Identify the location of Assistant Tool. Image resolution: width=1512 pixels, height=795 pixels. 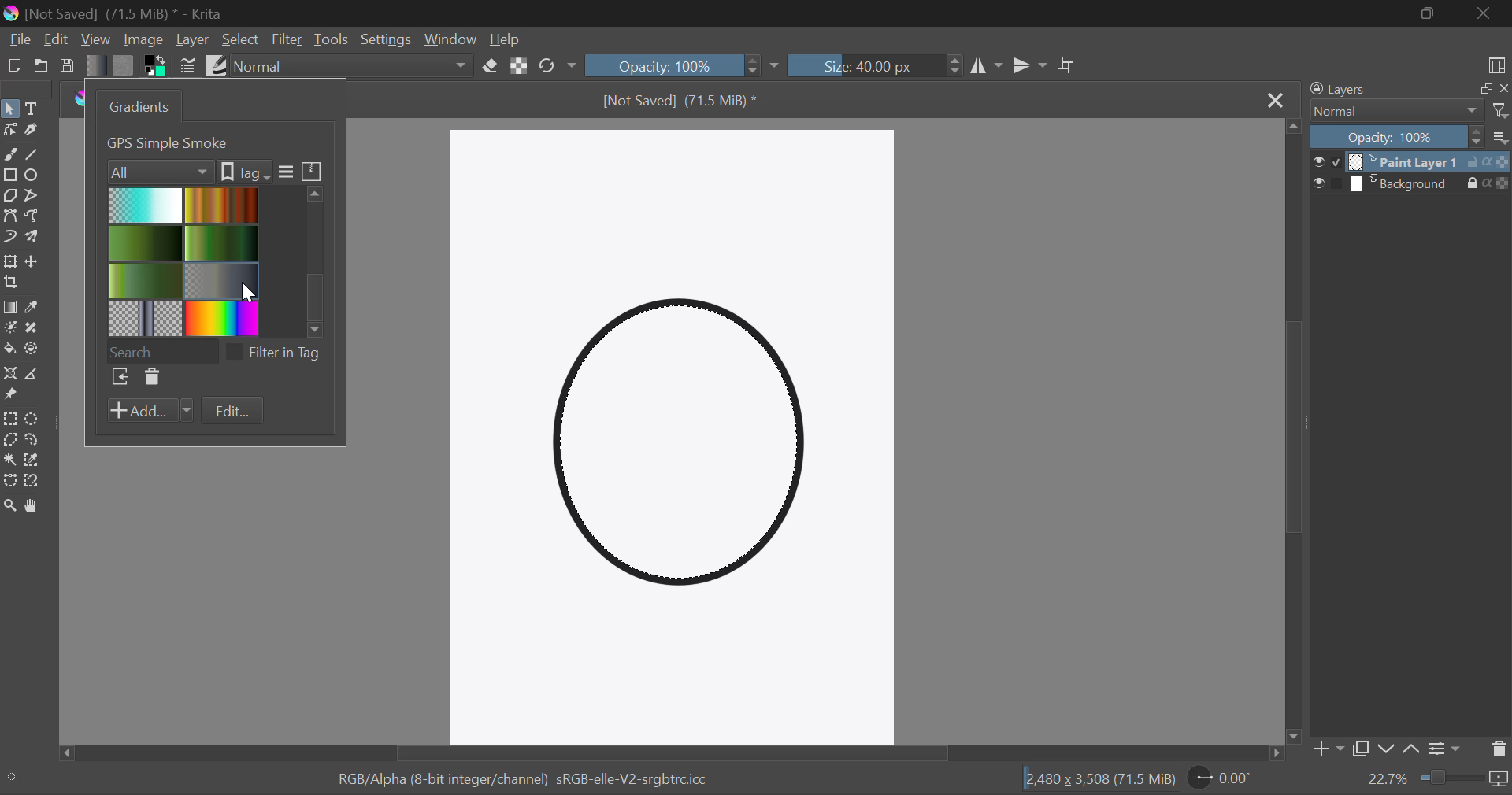
(10, 372).